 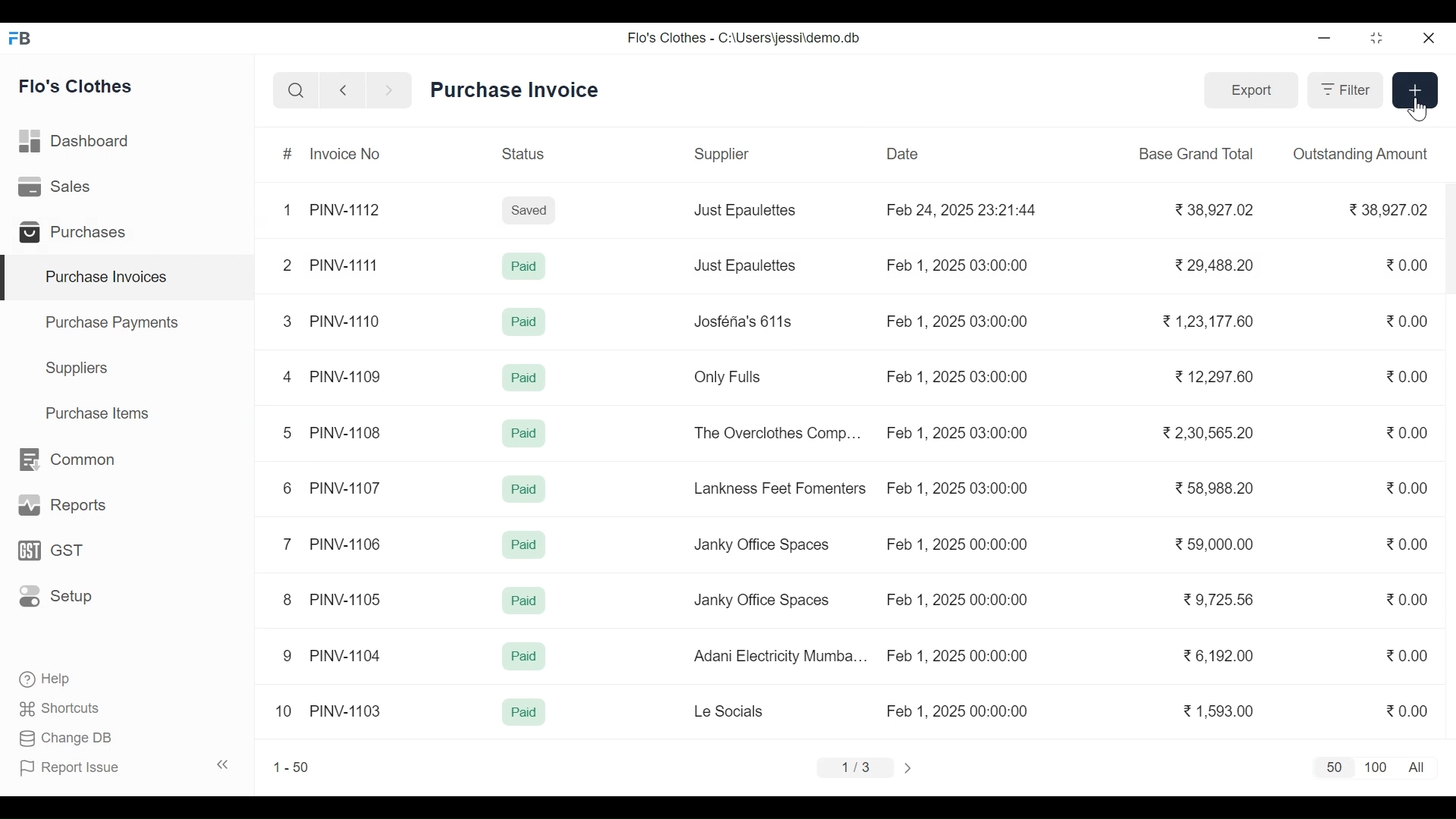 What do you see at coordinates (101, 413) in the screenshot?
I see `Purchase Items` at bounding box center [101, 413].